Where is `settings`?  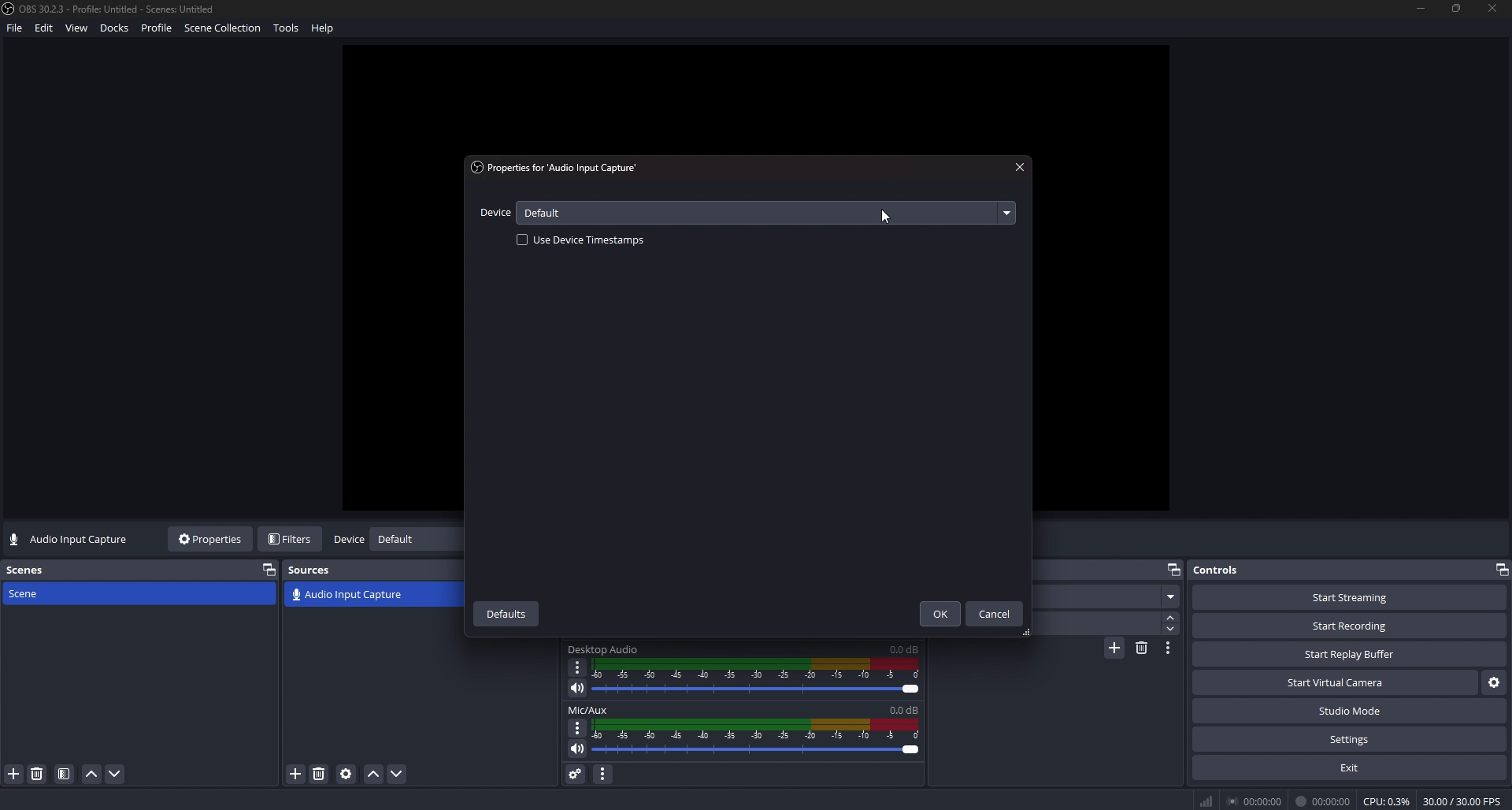
settings is located at coordinates (1349, 740).